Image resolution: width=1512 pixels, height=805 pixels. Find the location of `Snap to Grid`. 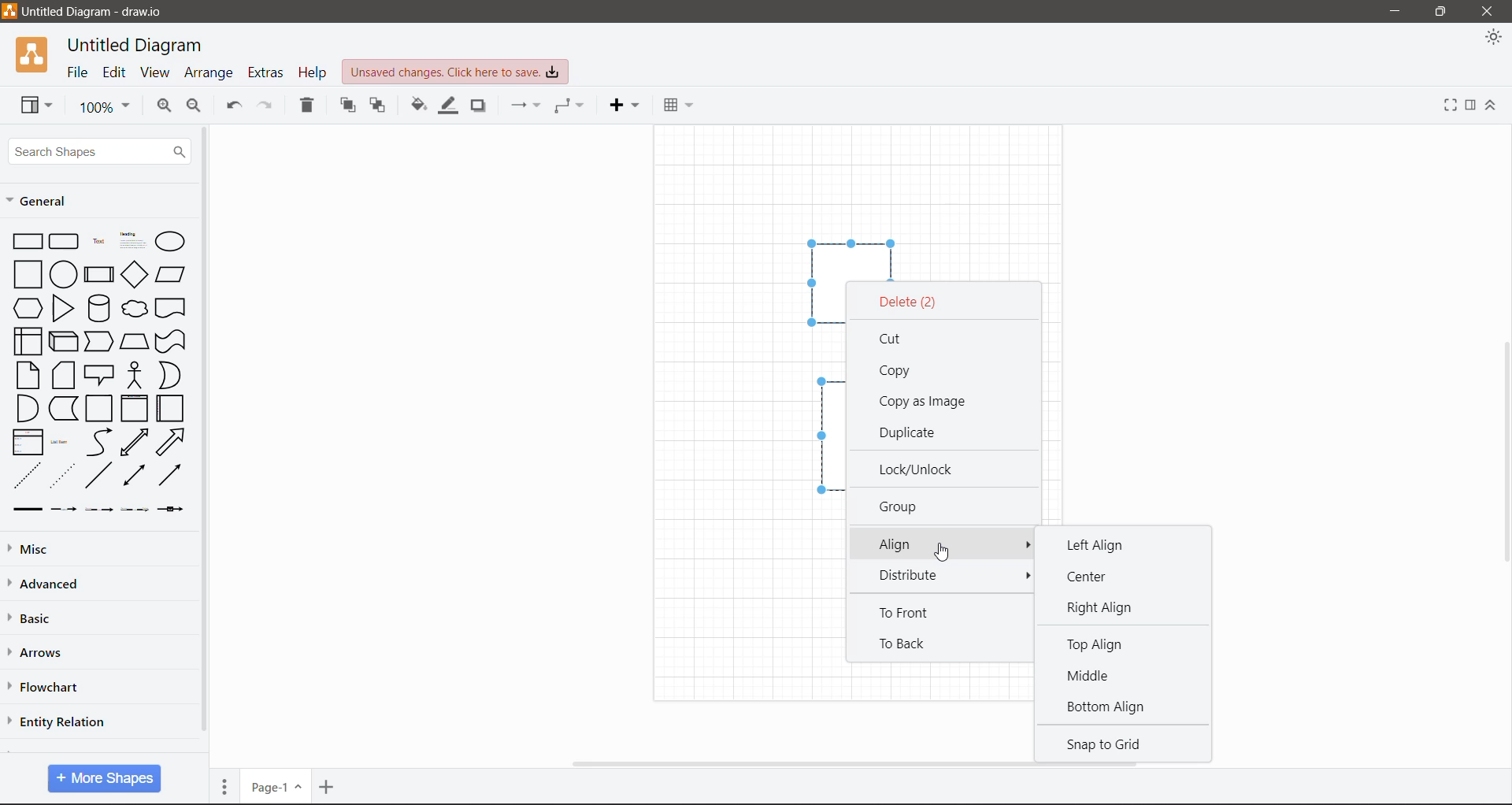

Snap to Grid is located at coordinates (1117, 744).